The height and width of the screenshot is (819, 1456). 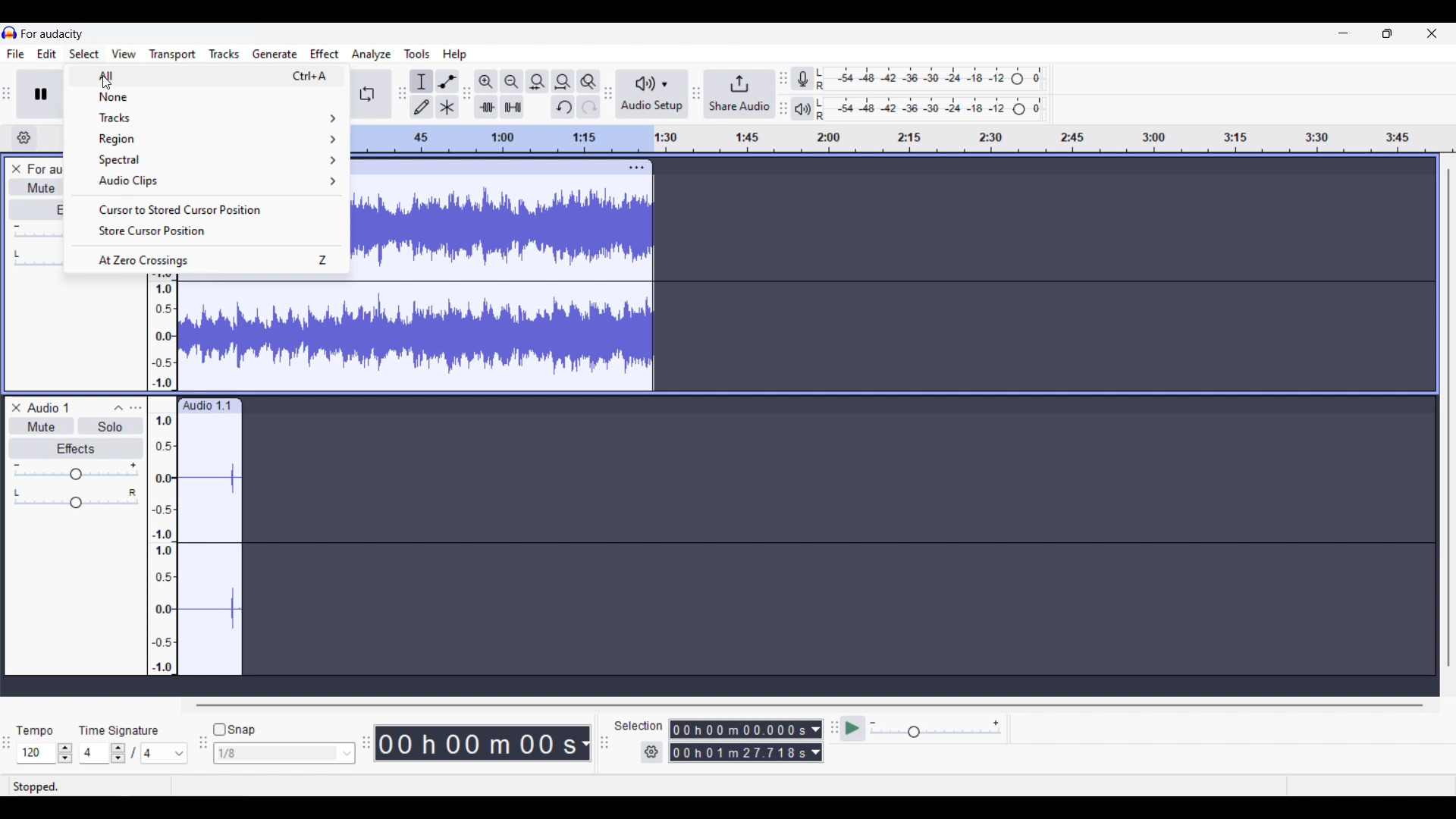 What do you see at coordinates (485, 168) in the screenshot?
I see `click to move` at bounding box center [485, 168].